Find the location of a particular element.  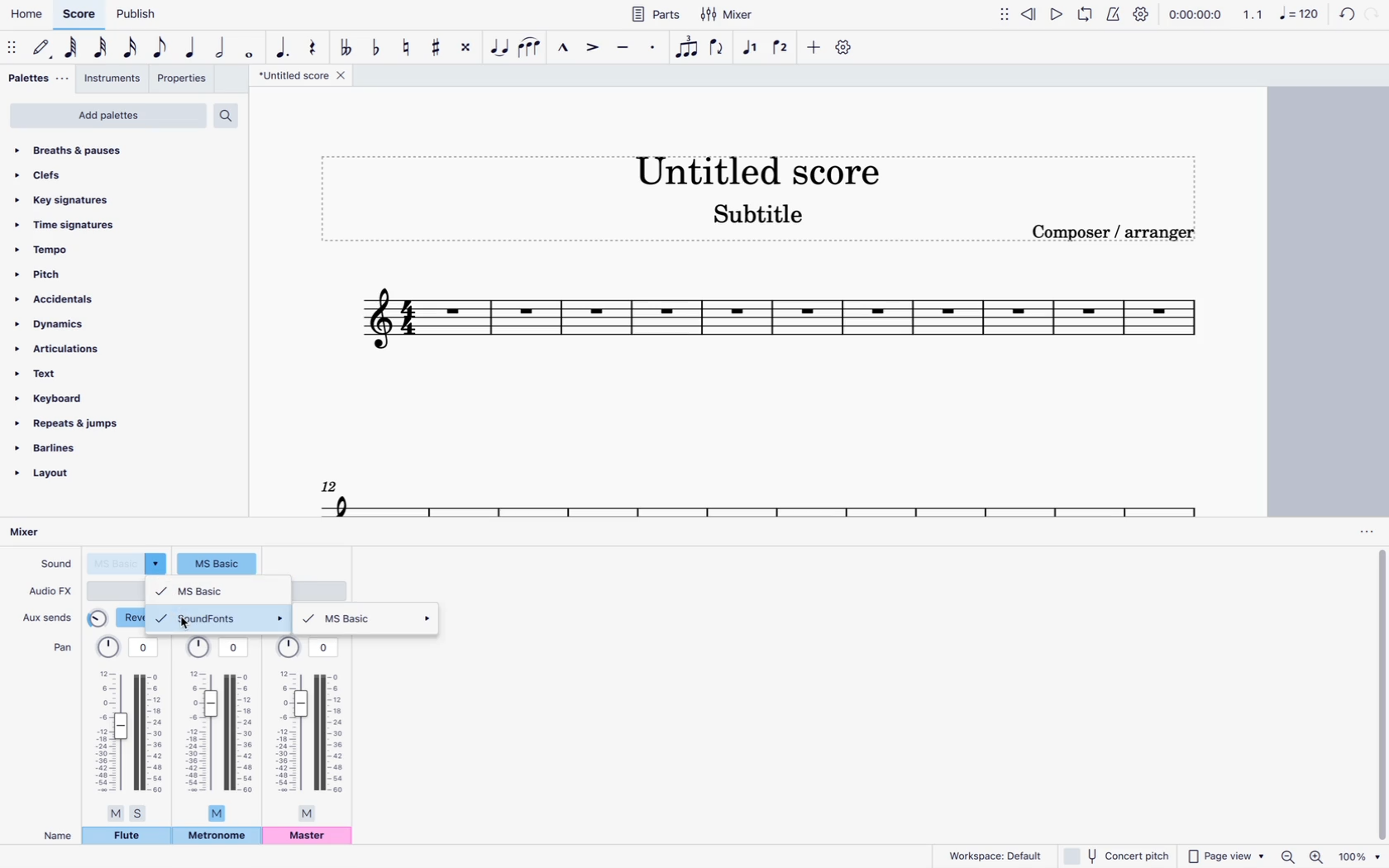

msbasic  is located at coordinates (218, 590).